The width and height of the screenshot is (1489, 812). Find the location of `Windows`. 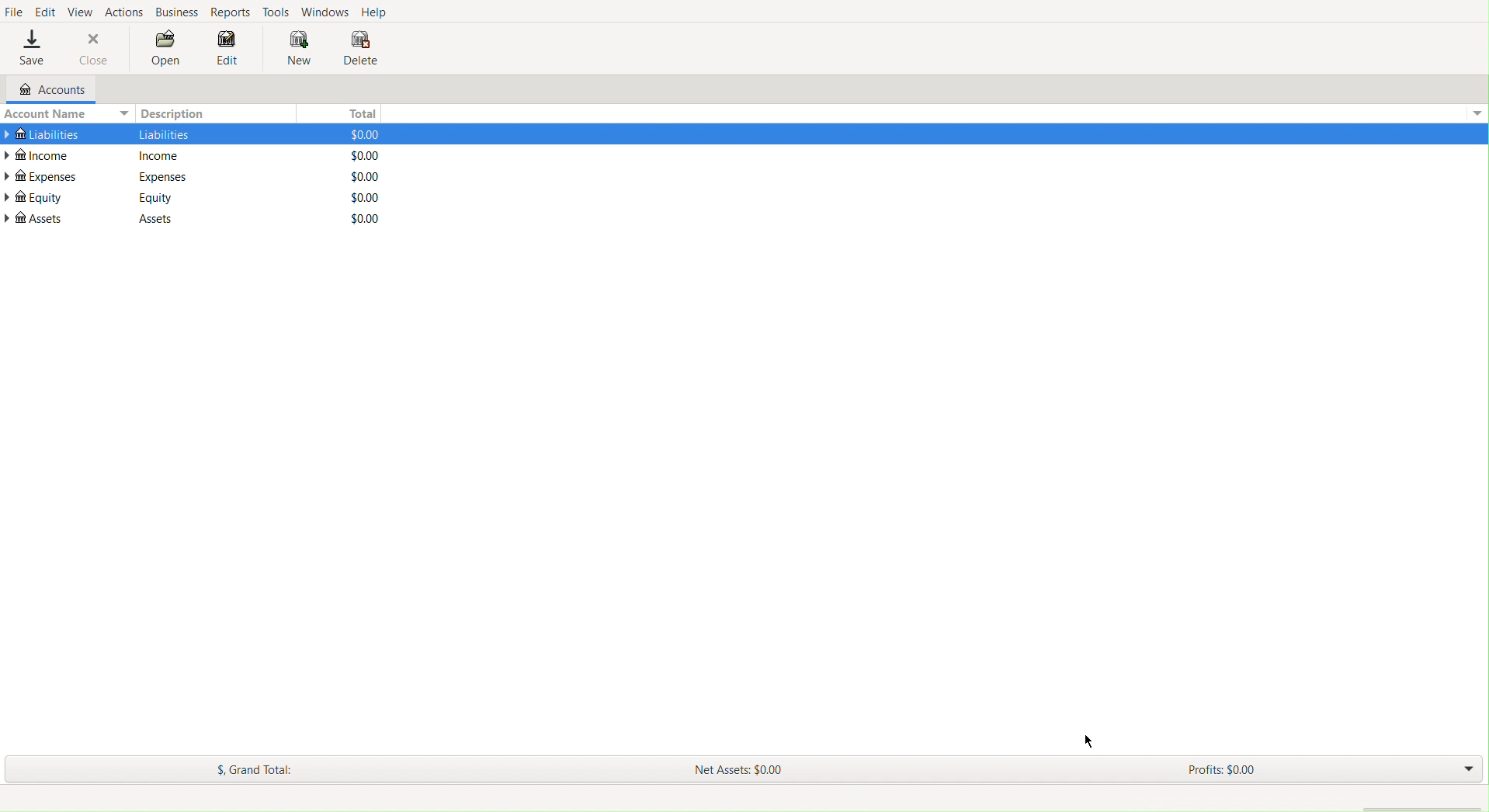

Windows is located at coordinates (325, 11).